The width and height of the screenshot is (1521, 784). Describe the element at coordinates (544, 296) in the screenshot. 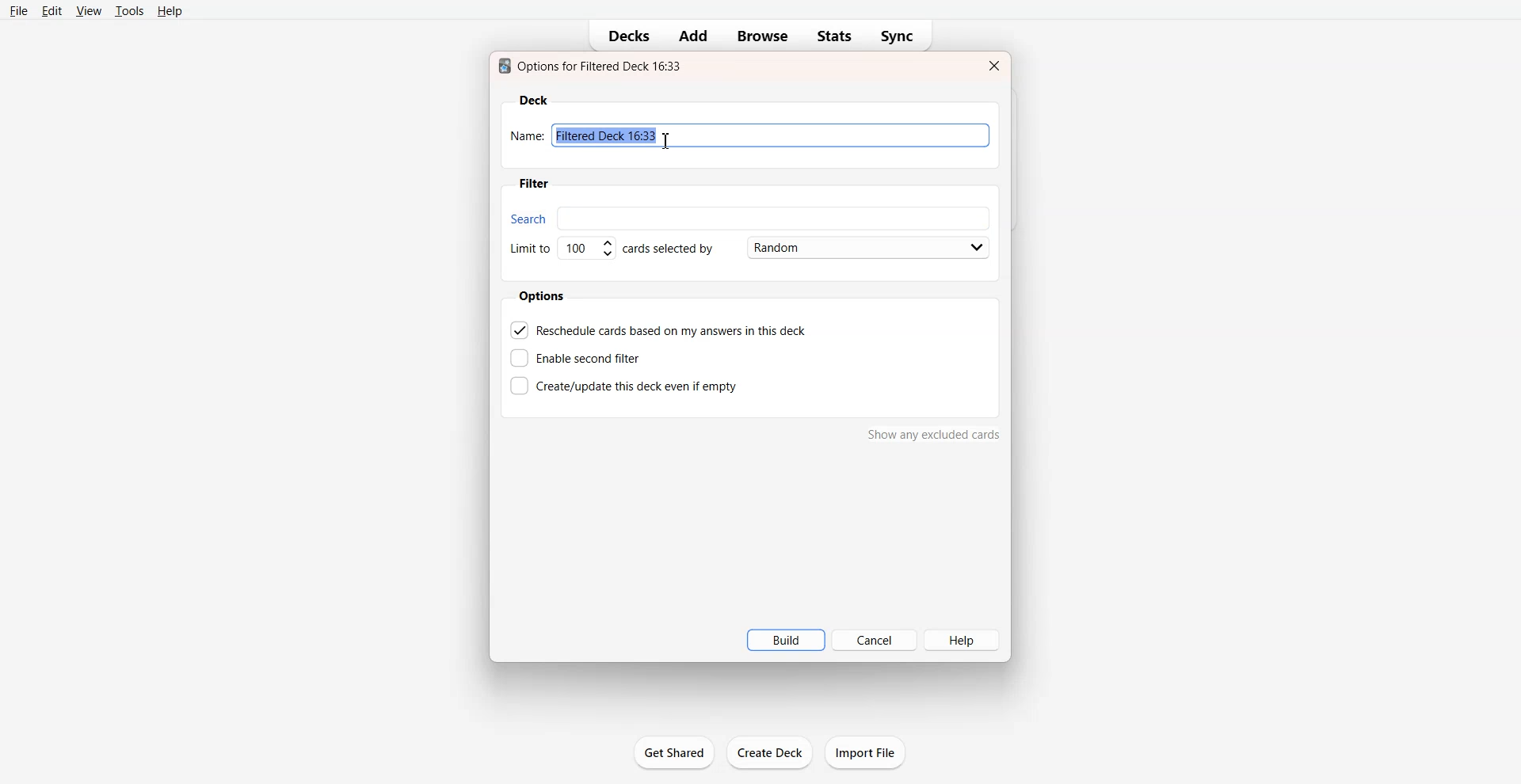

I see `Options` at that location.